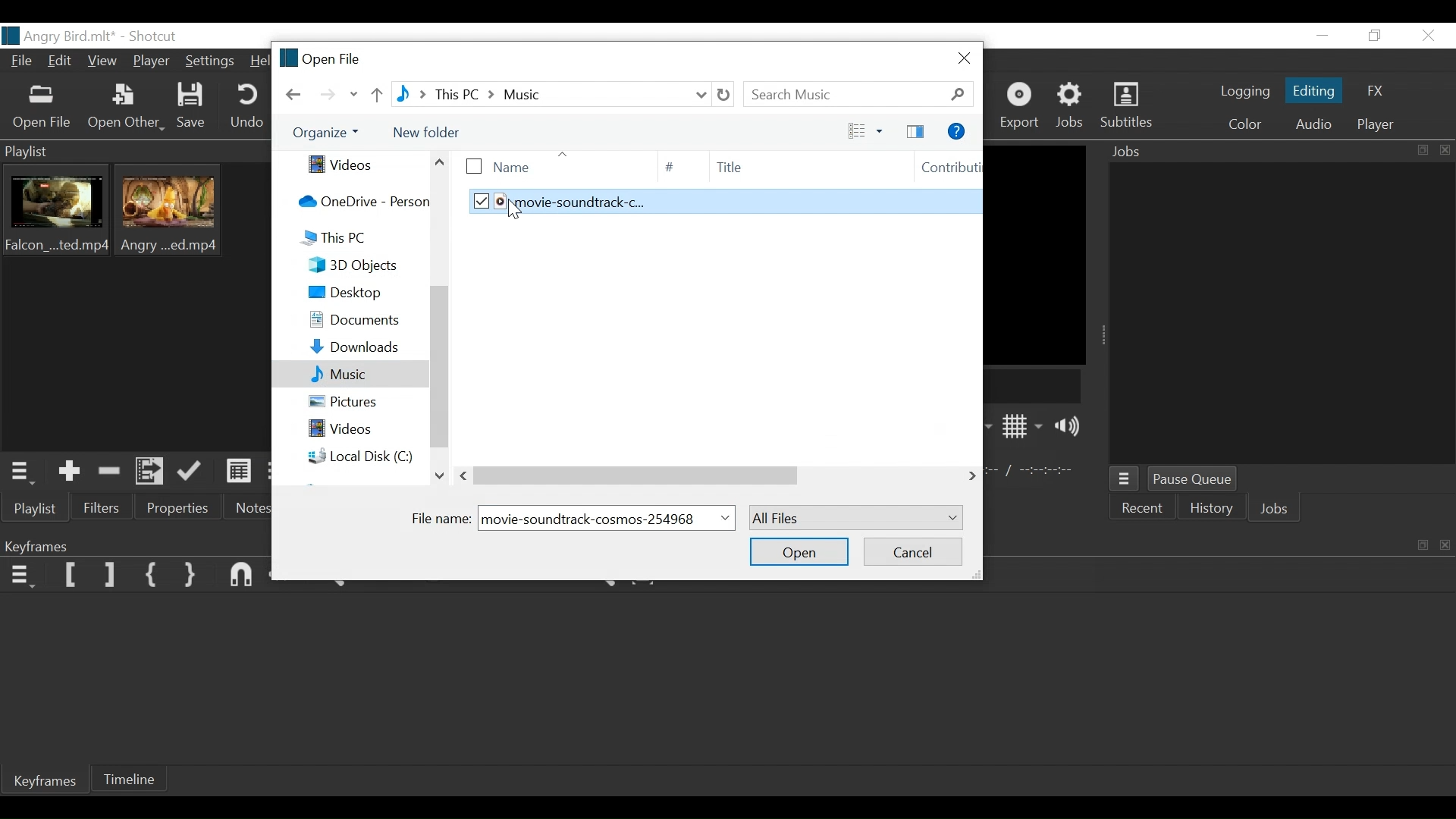  What do you see at coordinates (126, 107) in the screenshot?
I see `Open Other` at bounding box center [126, 107].